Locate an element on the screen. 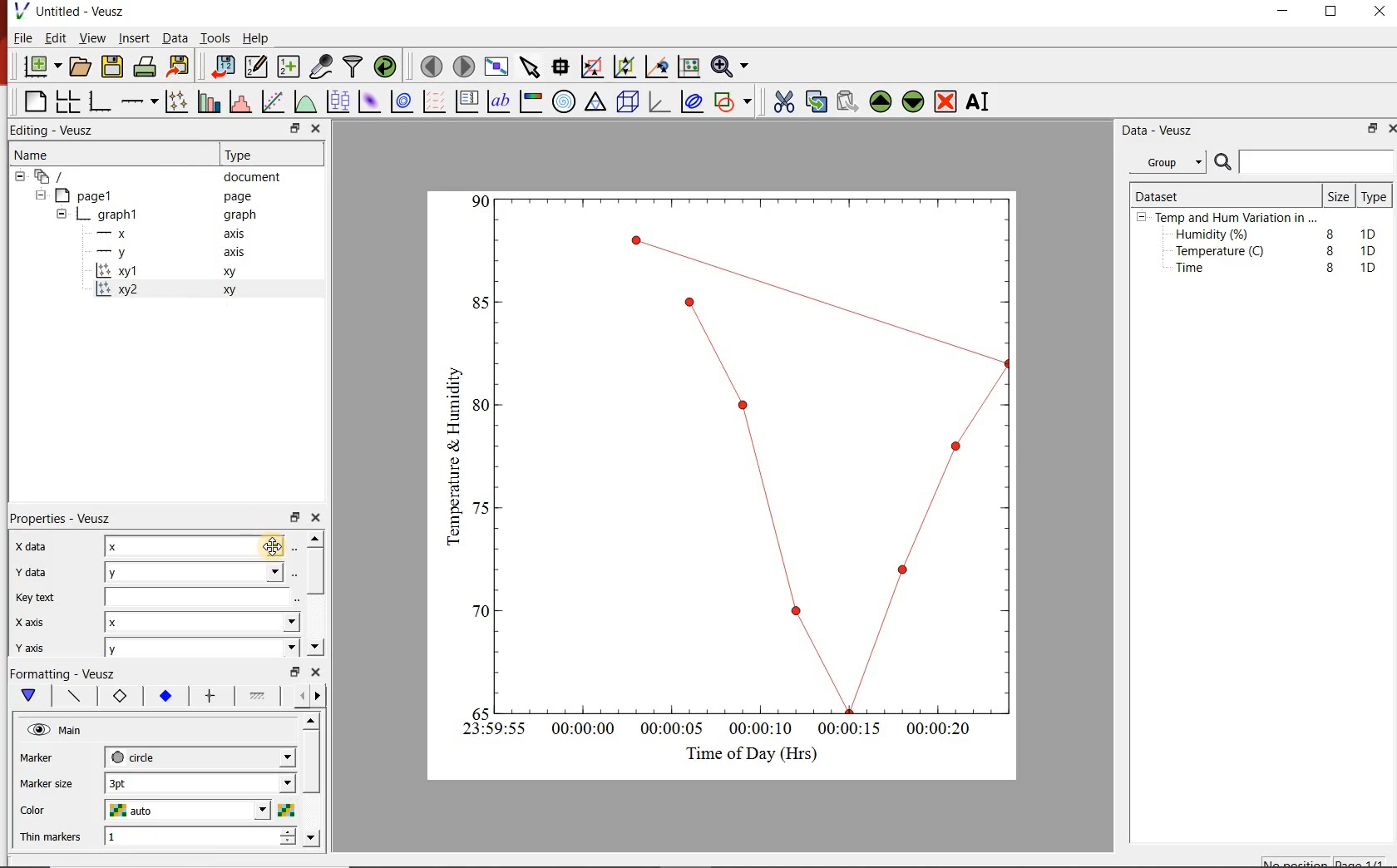  3d graph is located at coordinates (662, 104).